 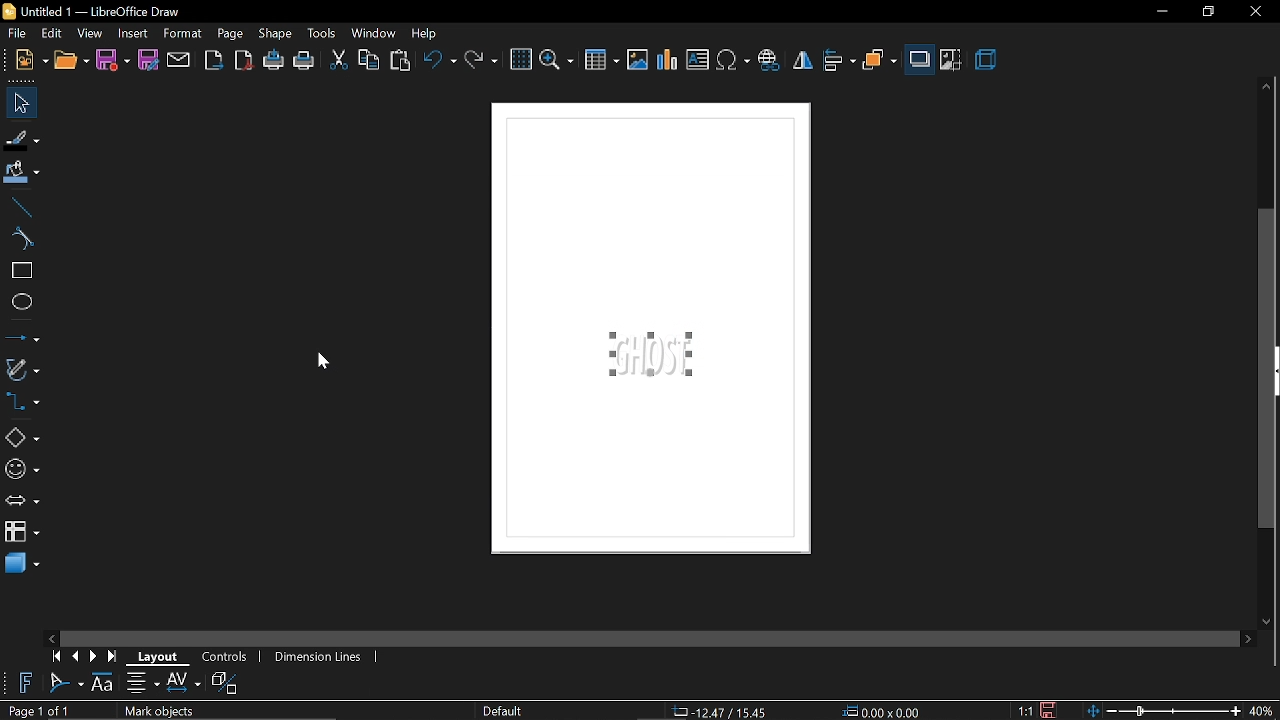 What do you see at coordinates (653, 639) in the screenshot?
I see `horizontal scroll bar` at bounding box center [653, 639].